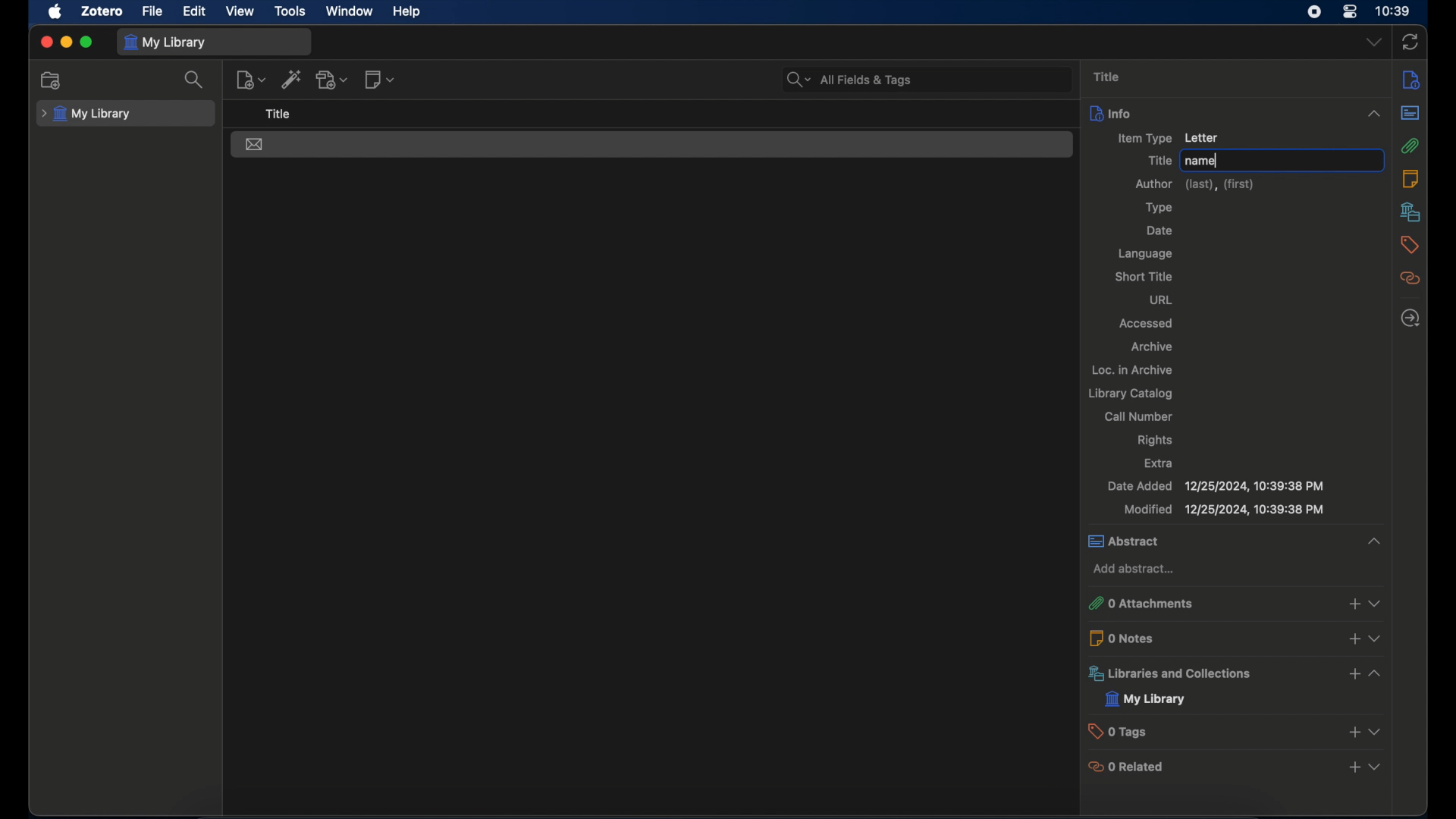 The image size is (1456, 819). I want to click on short title, so click(1145, 276).